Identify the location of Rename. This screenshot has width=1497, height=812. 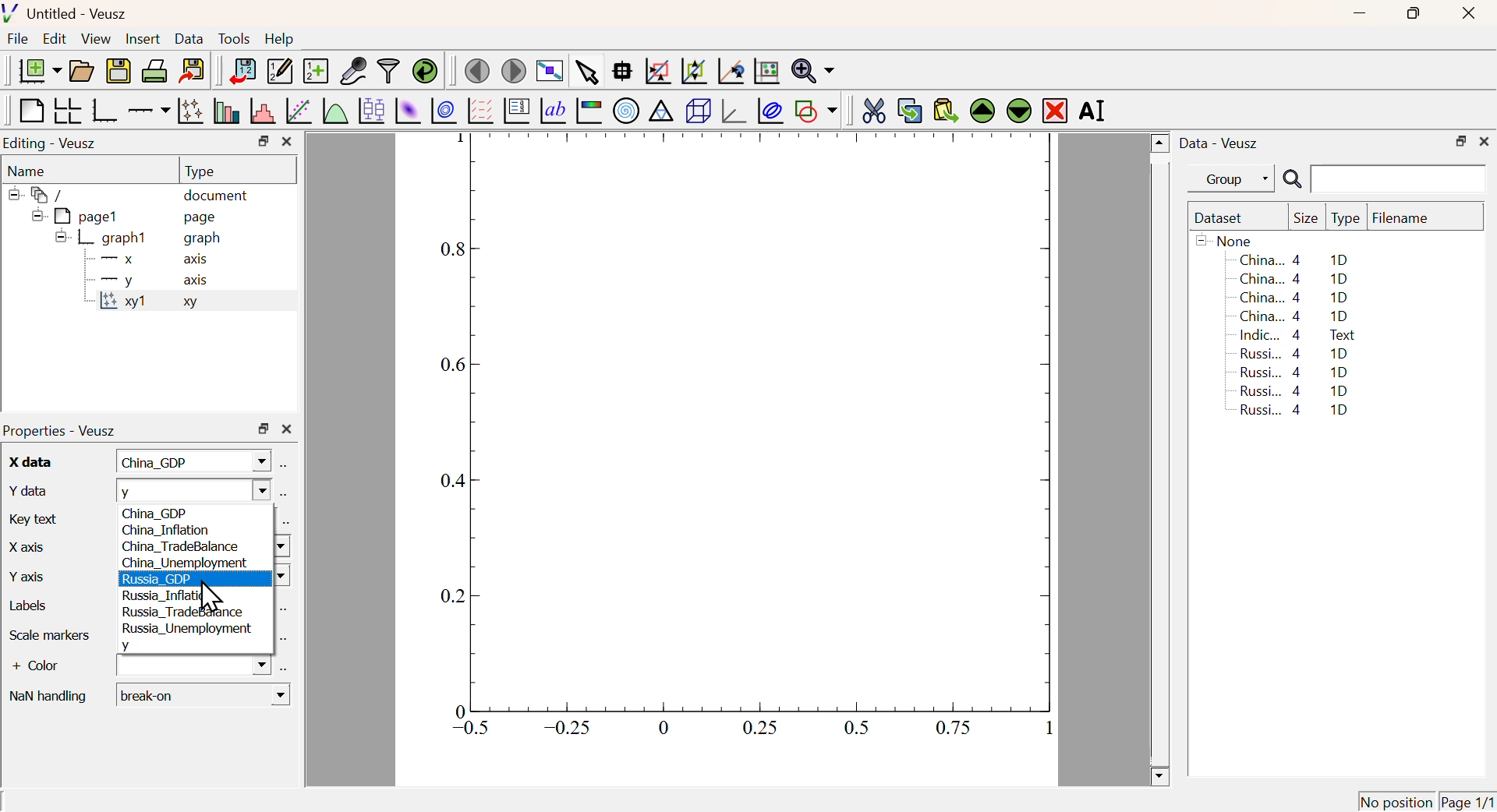
(1095, 110).